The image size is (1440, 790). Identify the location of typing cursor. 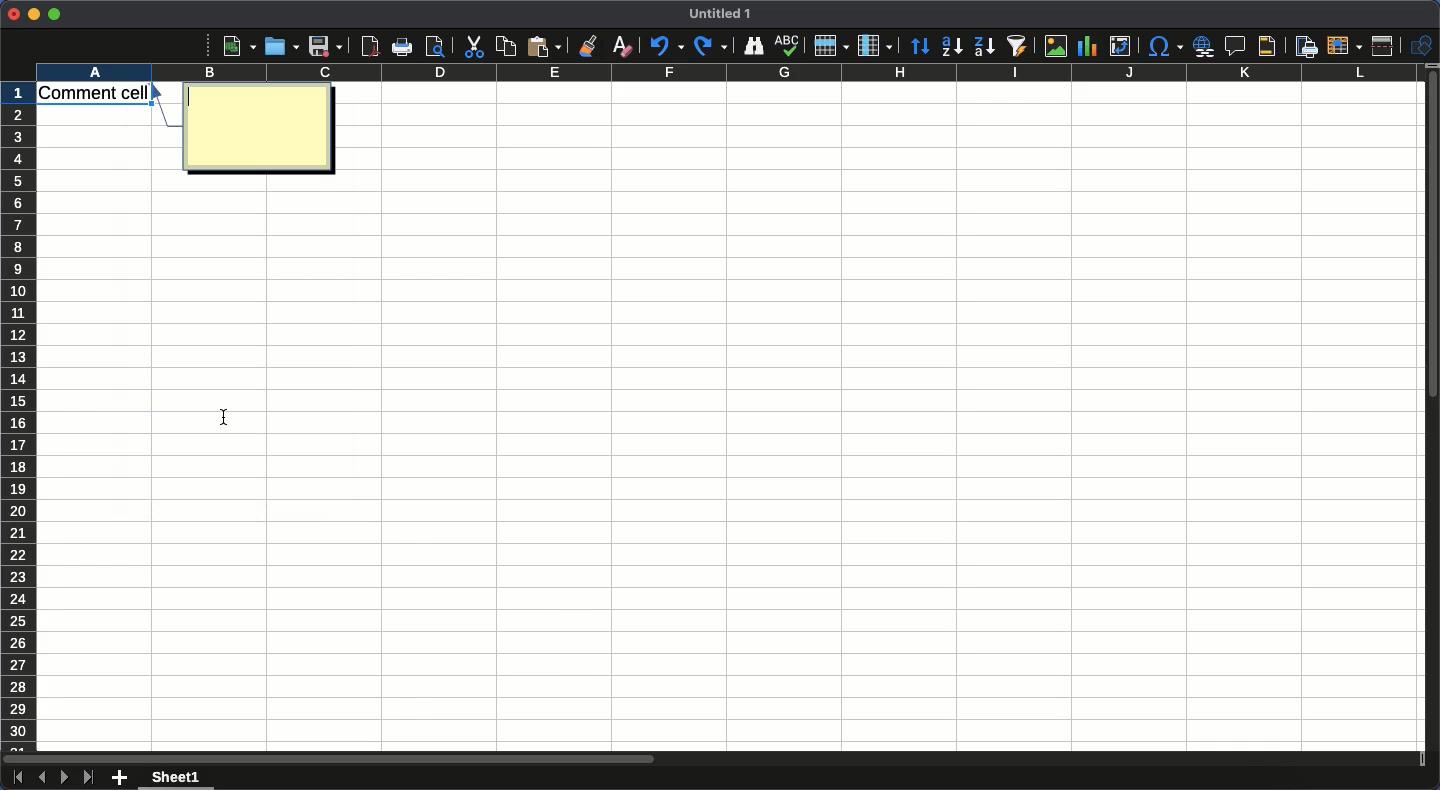
(186, 104).